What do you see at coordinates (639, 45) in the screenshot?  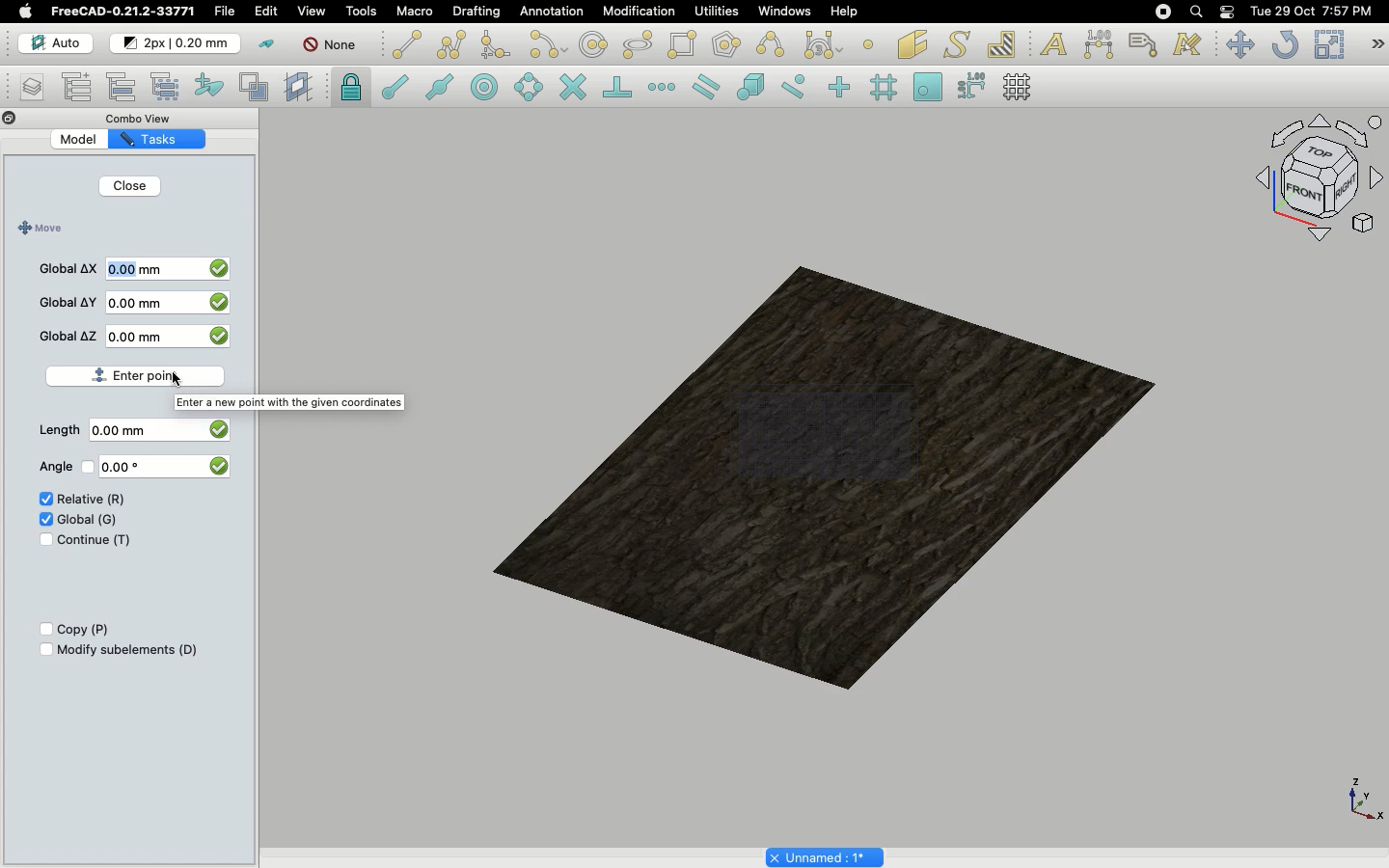 I see `polygon` at bounding box center [639, 45].